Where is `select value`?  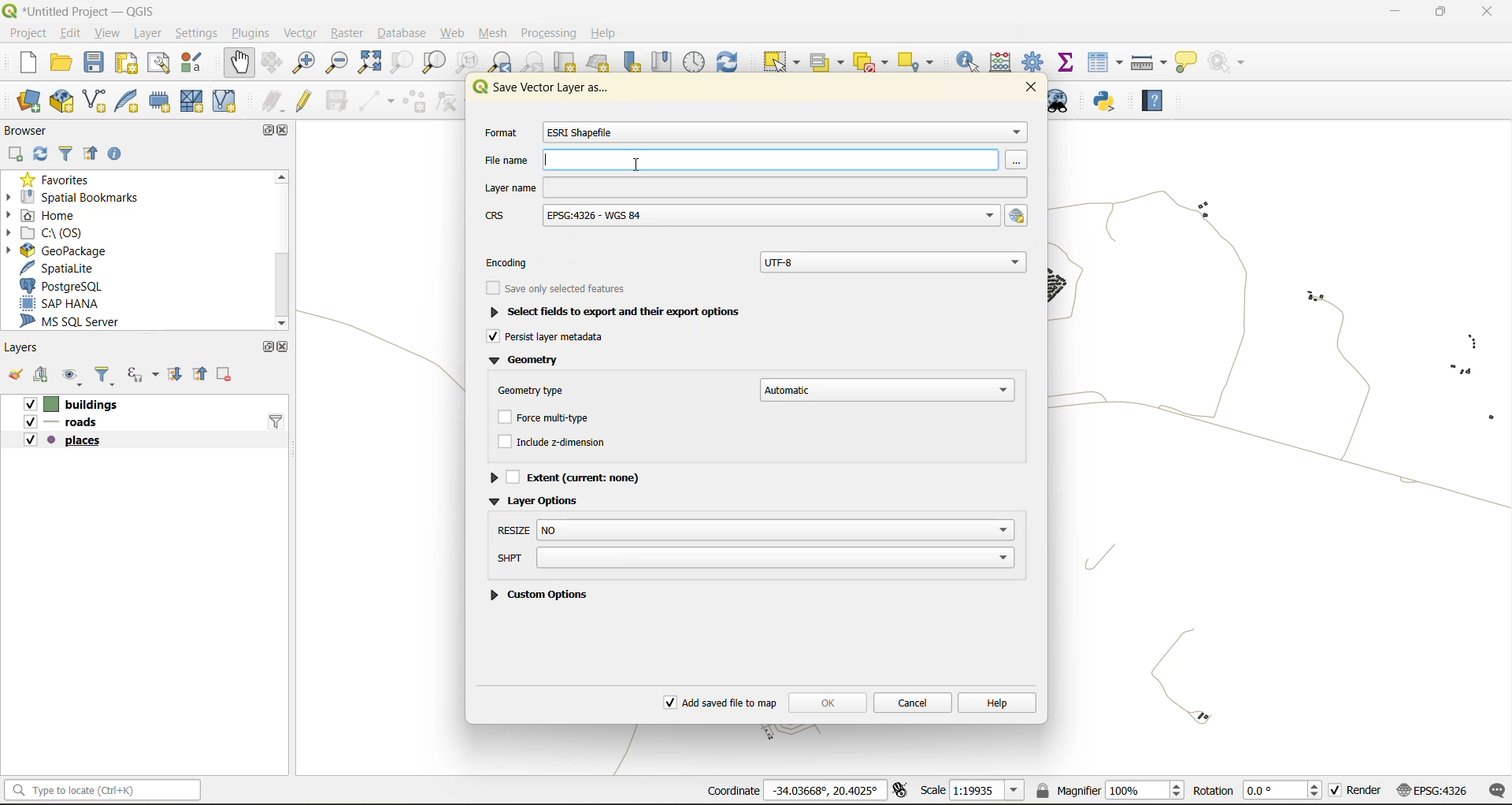 select value is located at coordinates (830, 61).